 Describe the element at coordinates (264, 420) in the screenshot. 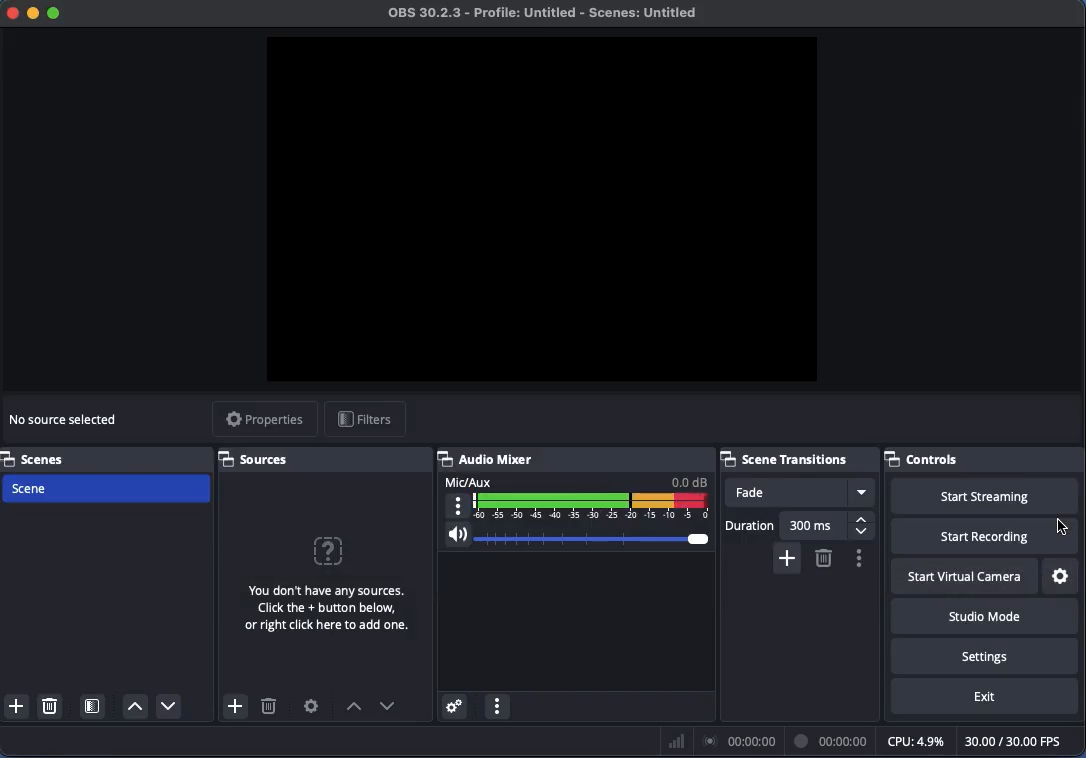

I see `Properties` at that location.